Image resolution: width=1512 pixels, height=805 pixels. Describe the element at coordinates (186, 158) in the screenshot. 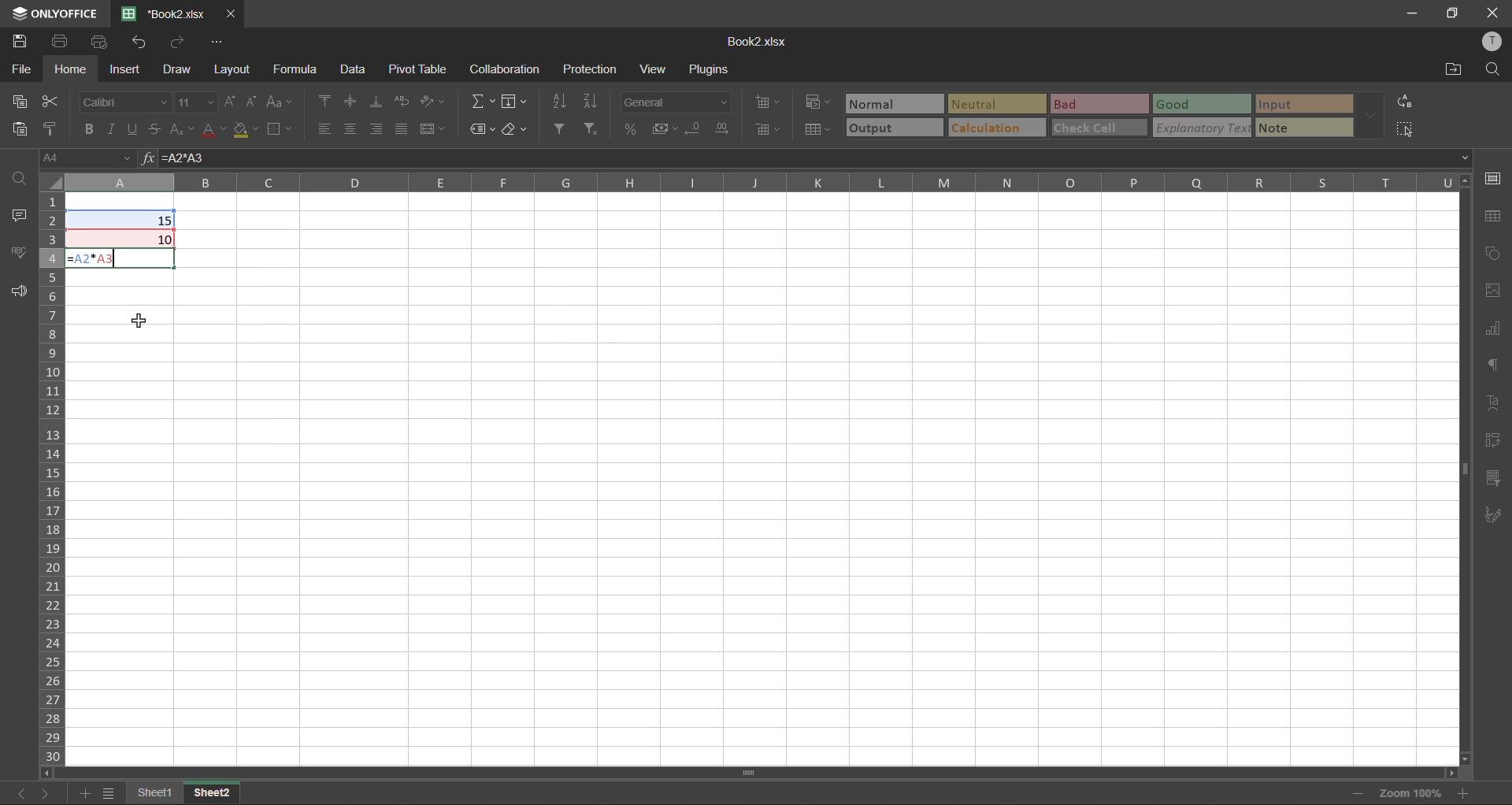

I see `=A2*A3` at that location.